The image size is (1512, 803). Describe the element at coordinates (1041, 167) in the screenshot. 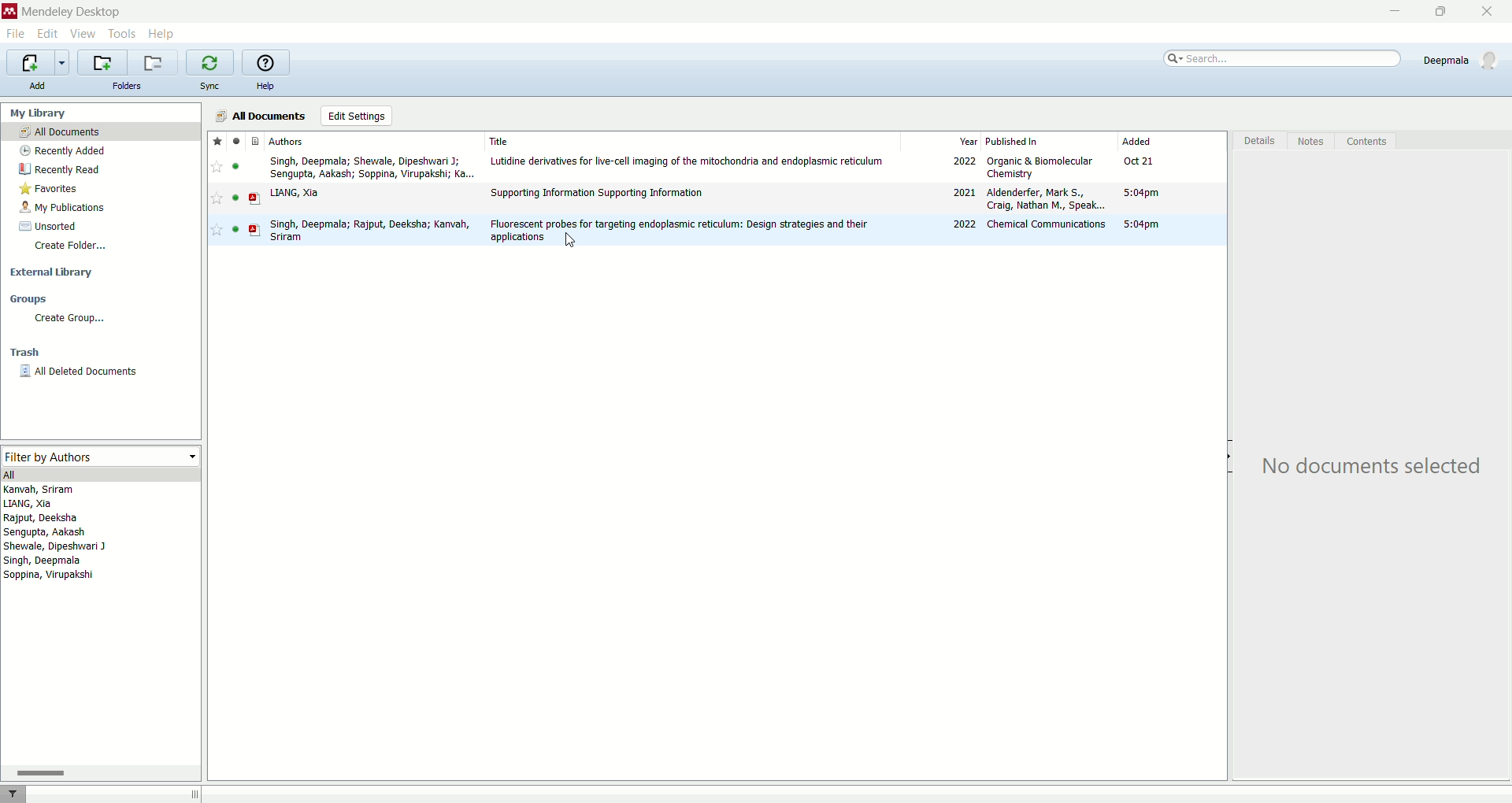

I see `Organic & Biomolecular Chemistry` at that location.